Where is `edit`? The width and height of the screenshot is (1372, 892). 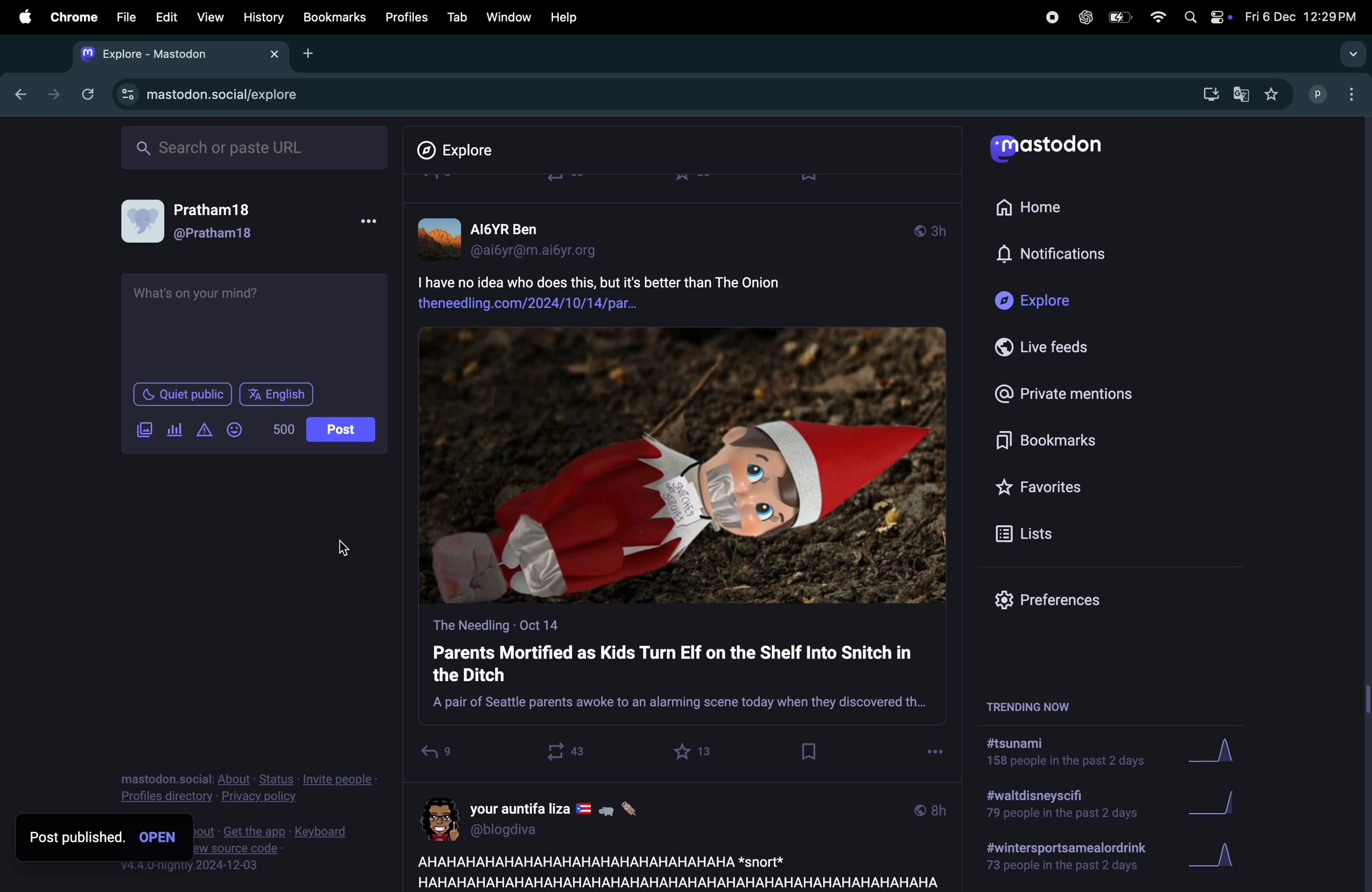 edit is located at coordinates (166, 18).